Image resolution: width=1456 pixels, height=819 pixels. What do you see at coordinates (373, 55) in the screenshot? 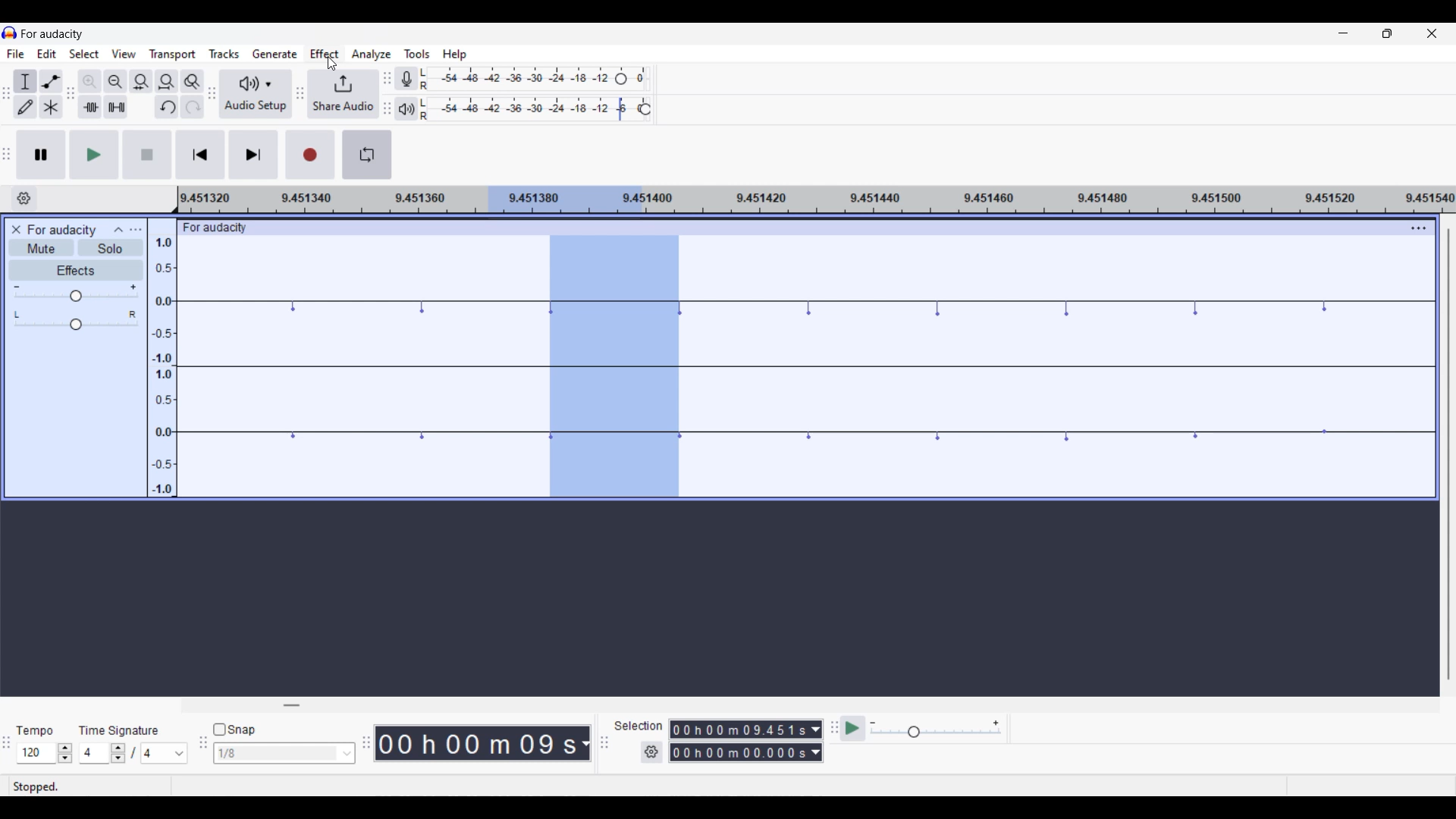
I see `Analyze menu` at bounding box center [373, 55].